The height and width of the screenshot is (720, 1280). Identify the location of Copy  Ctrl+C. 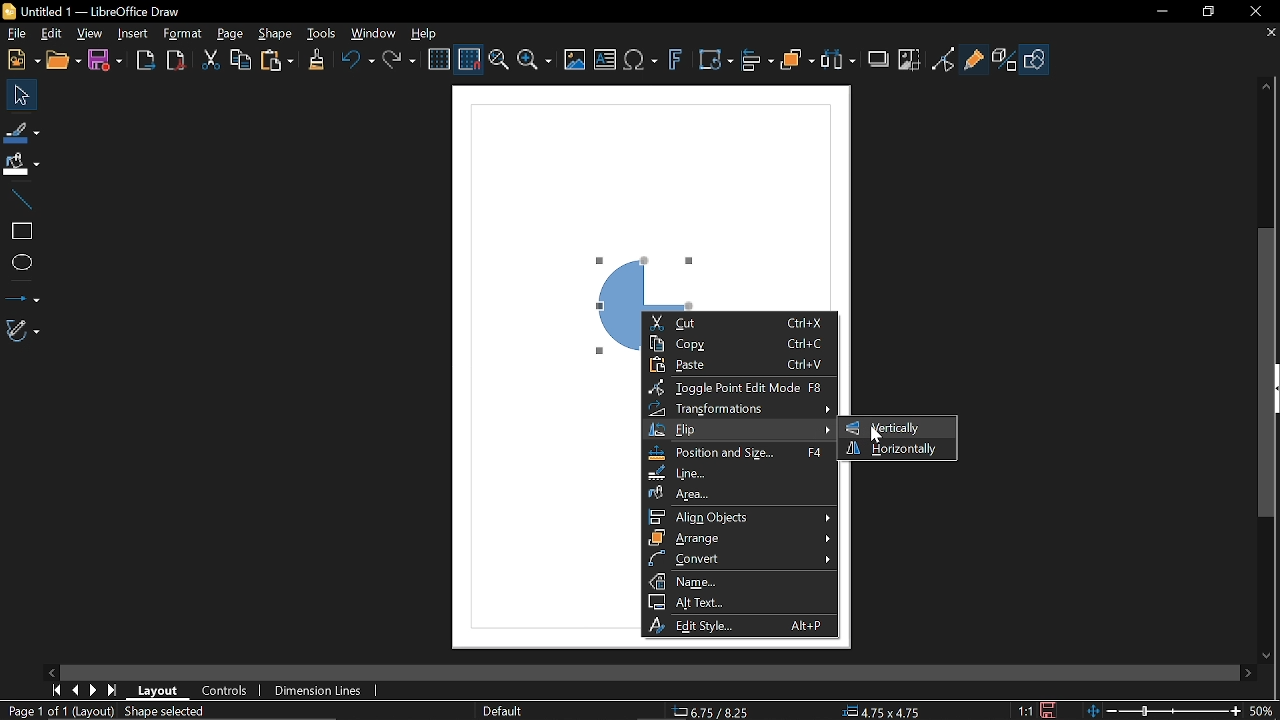
(735, 344).